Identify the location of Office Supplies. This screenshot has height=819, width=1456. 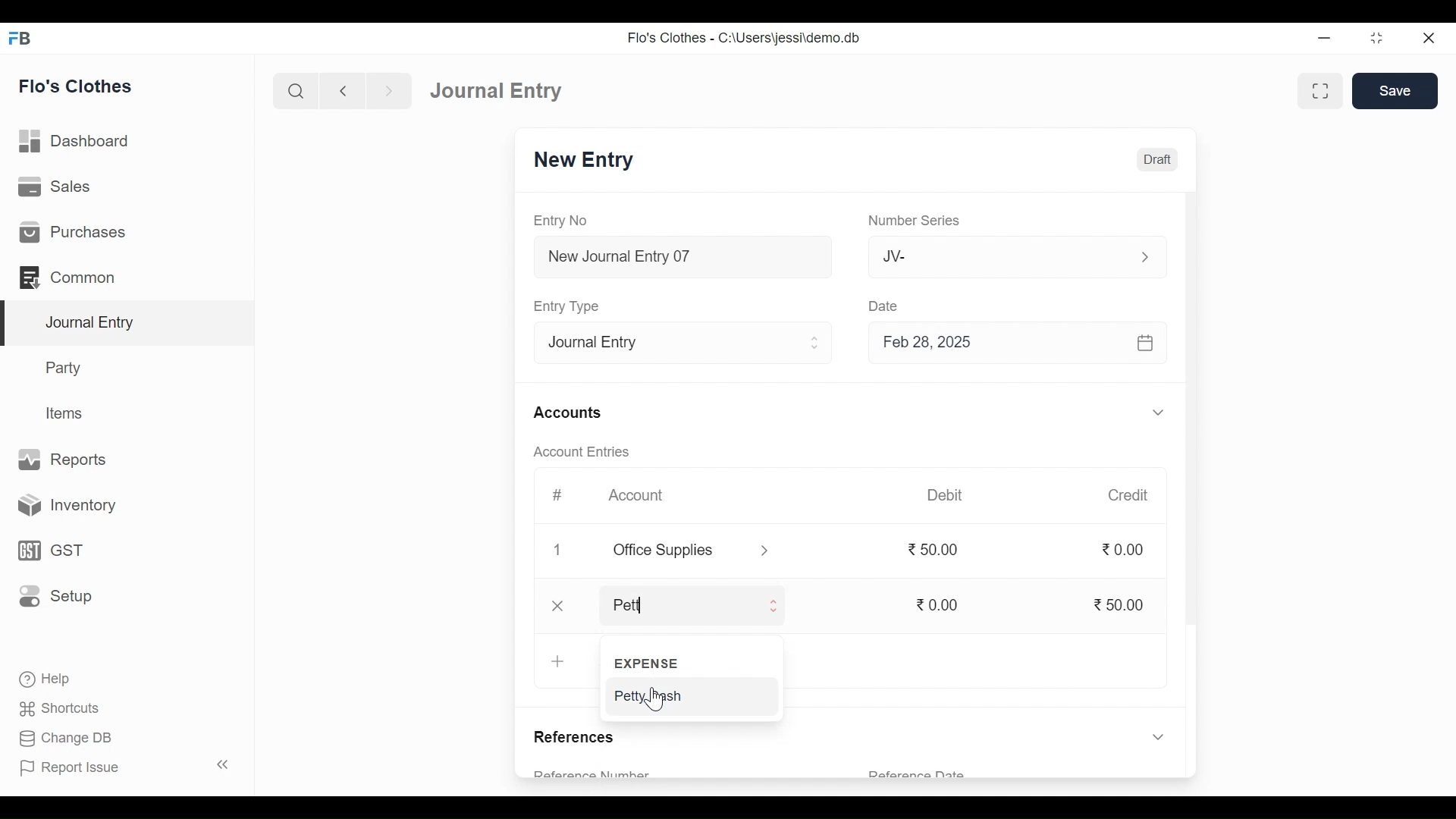
(674, 549).